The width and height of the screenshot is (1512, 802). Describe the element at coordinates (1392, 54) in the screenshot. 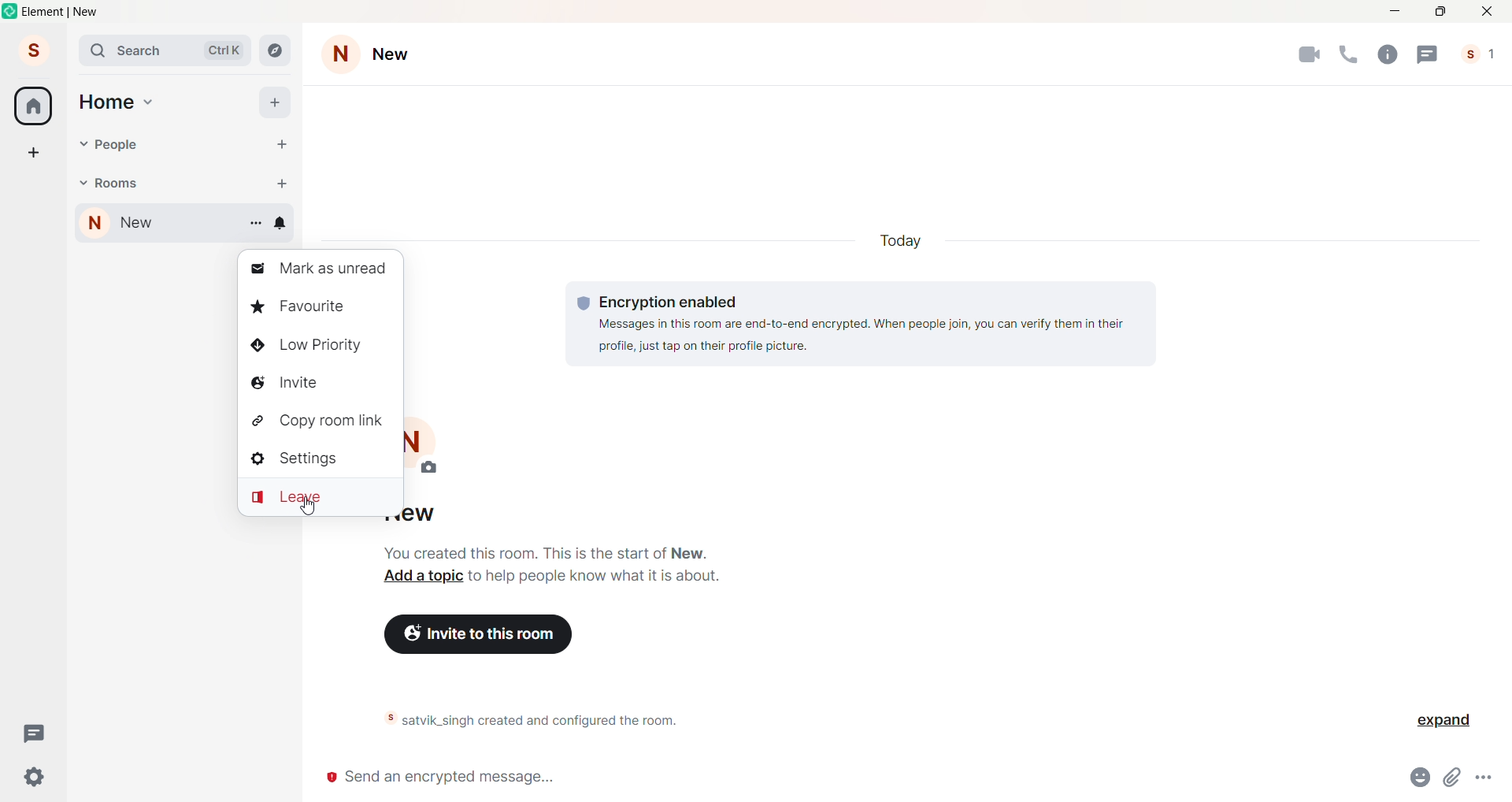

I see `Room Info` at that location.